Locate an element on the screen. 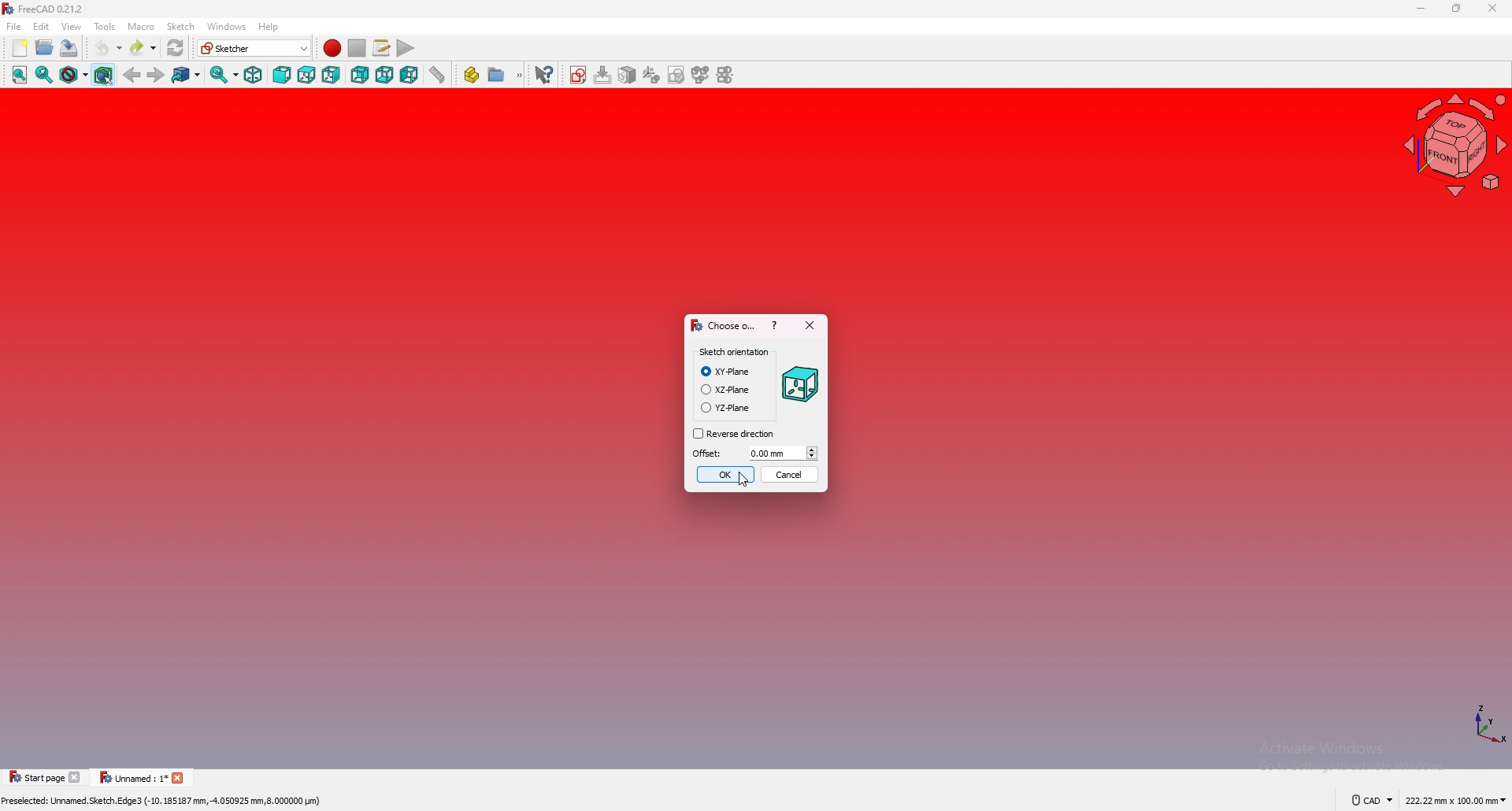 This screenshot has width=1512, height=811. switch workbench is located at coordinates (255, 47).